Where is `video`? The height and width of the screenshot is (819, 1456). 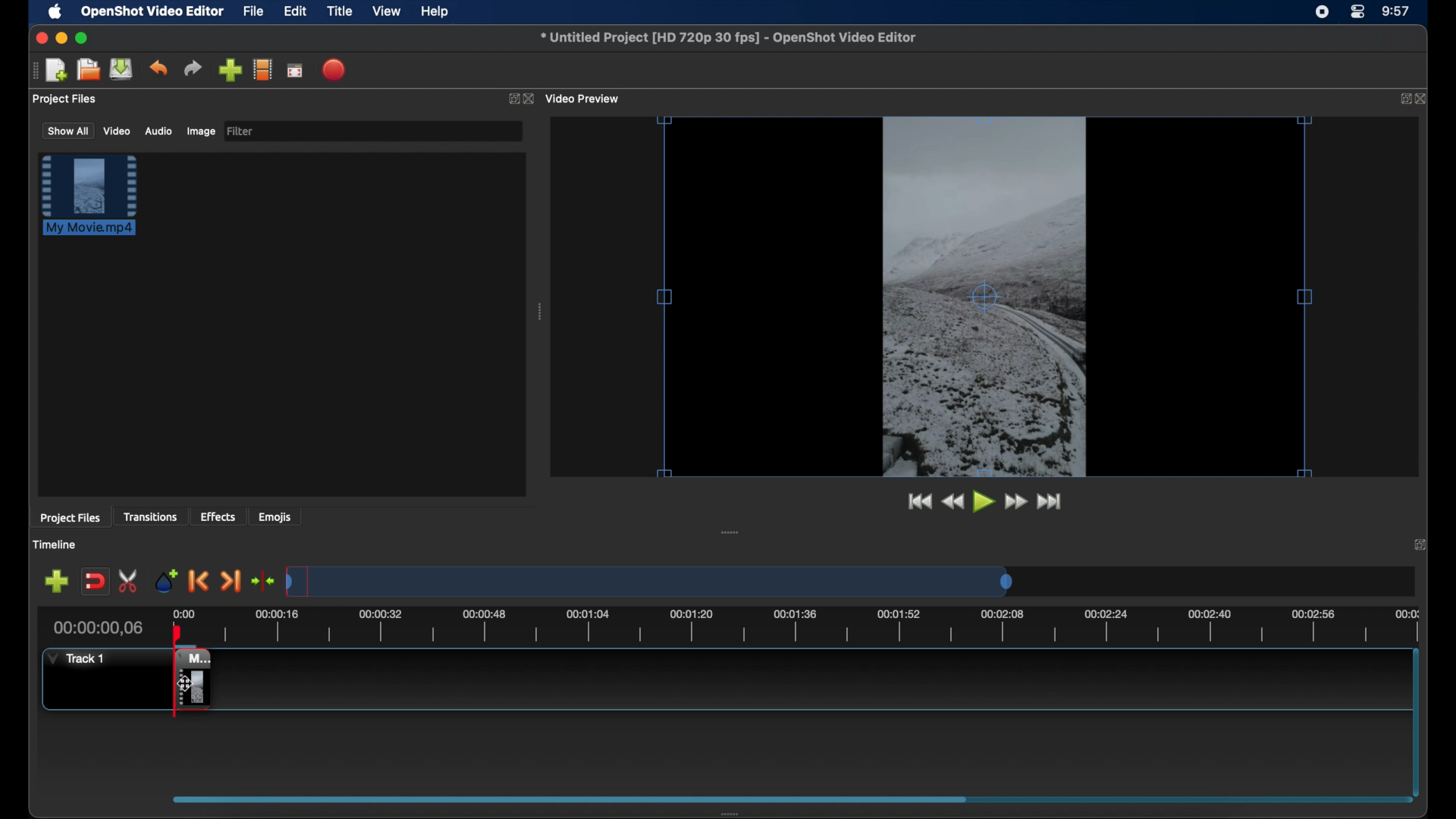 video is located at coordinates (118, 130).